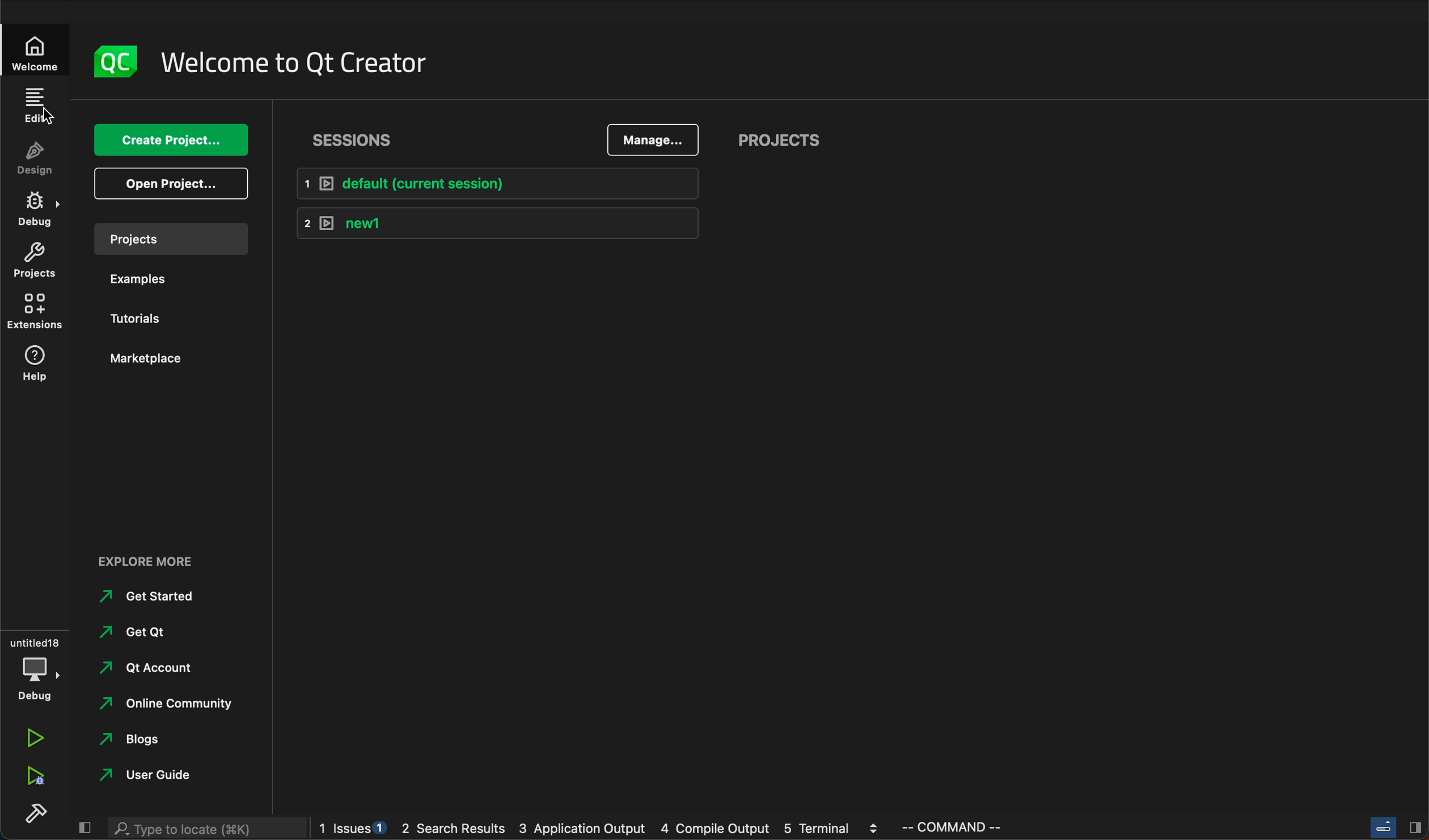 Image resolution: width=1429 pixels, height=840 pixels. Describe the element at coordinates (33, 261) in the screenshot. I see `projects` at that location.